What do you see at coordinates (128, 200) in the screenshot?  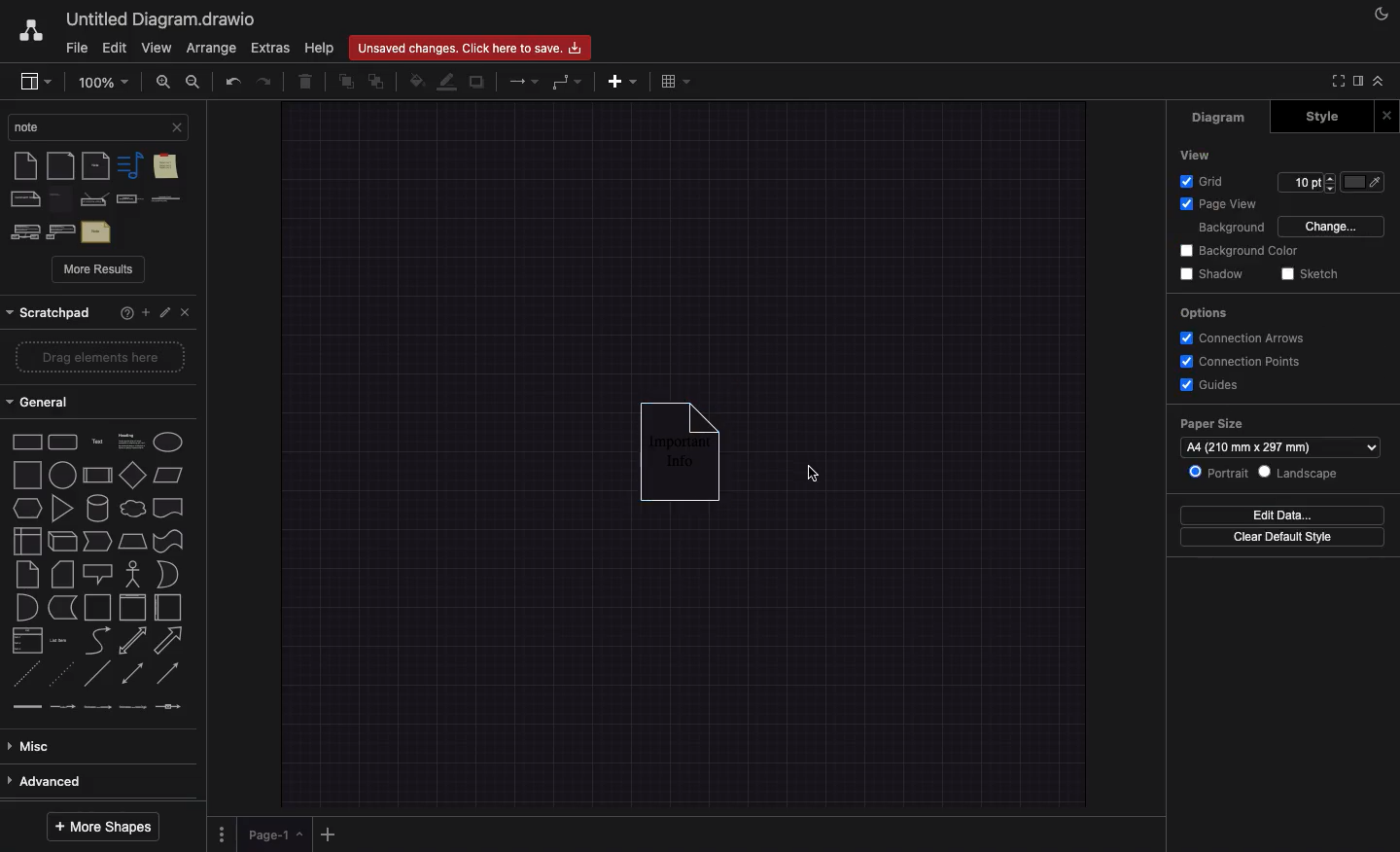 I see `constraint textual note` at bounding box center [128, 200].